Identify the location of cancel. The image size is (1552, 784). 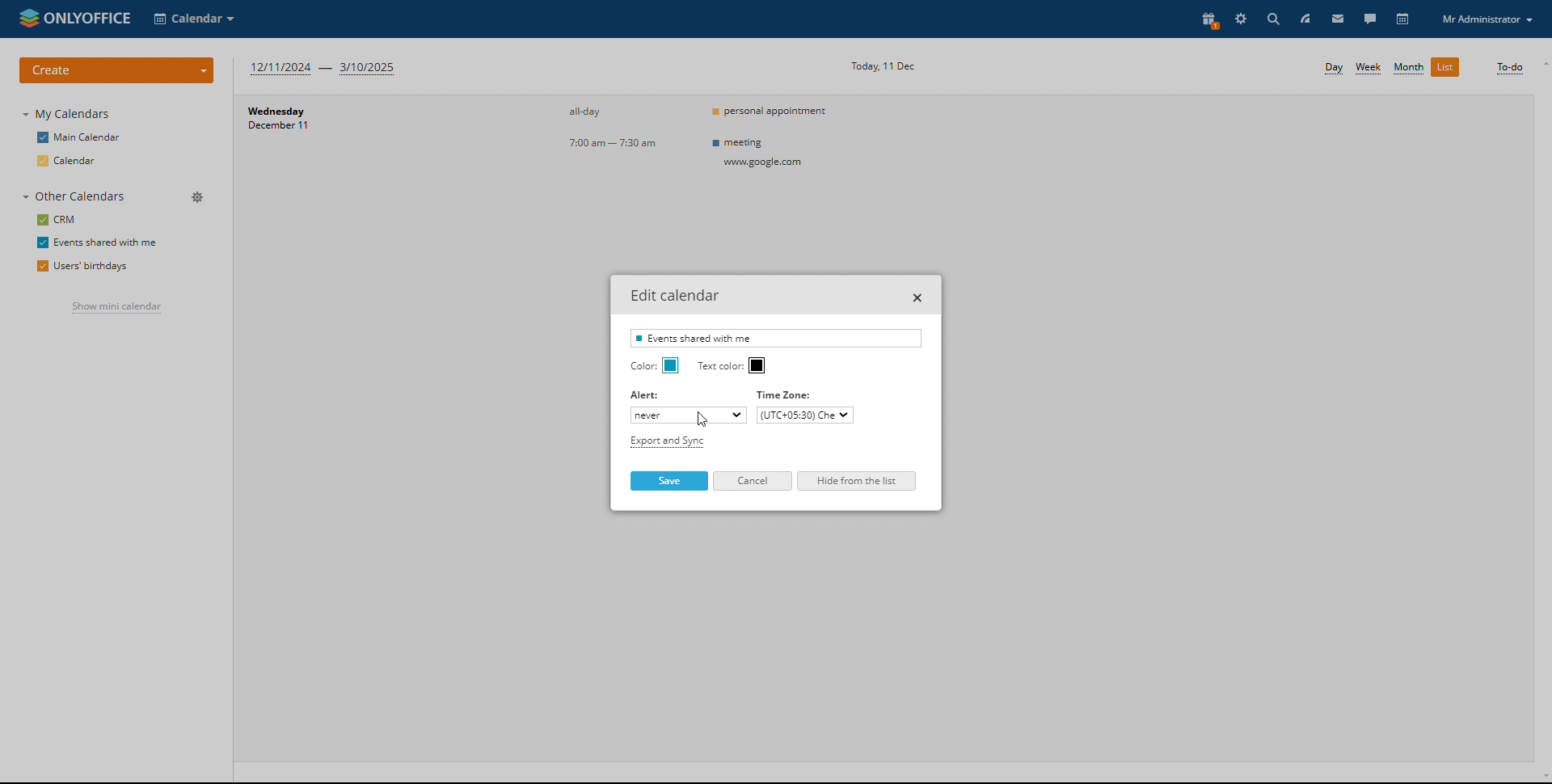
(753, 481).